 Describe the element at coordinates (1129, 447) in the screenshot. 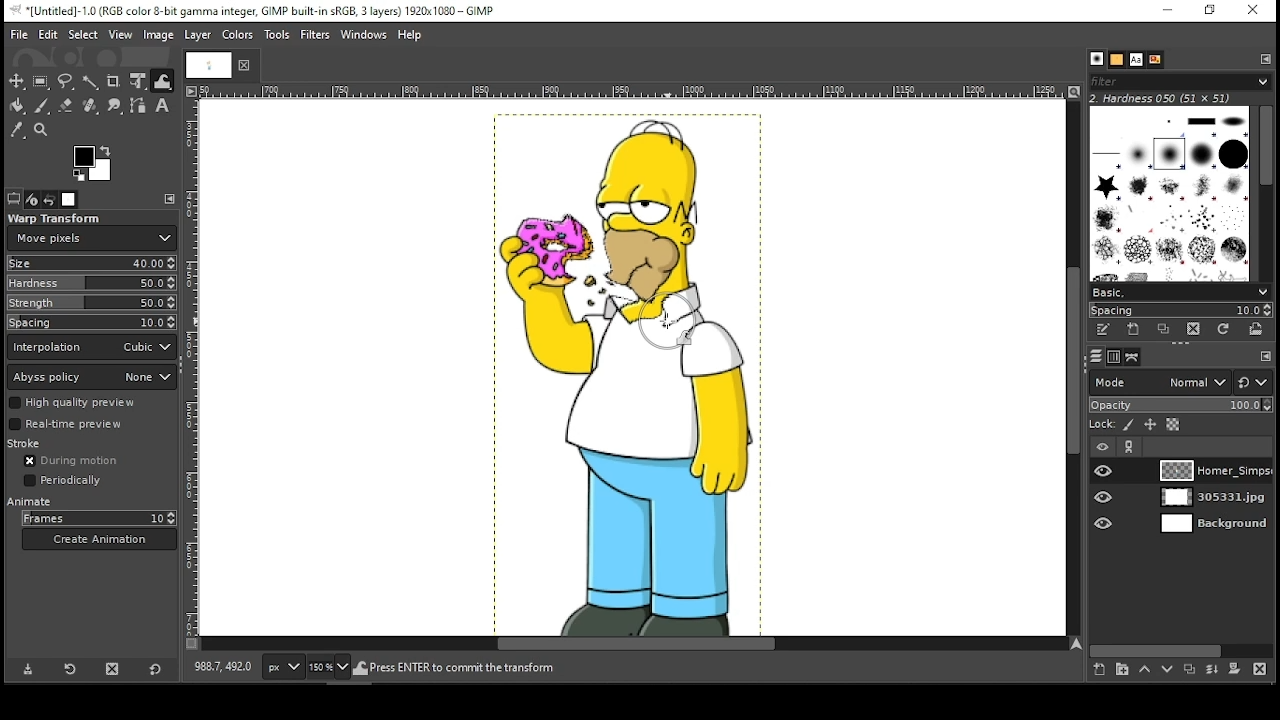

I see `link` at that location.